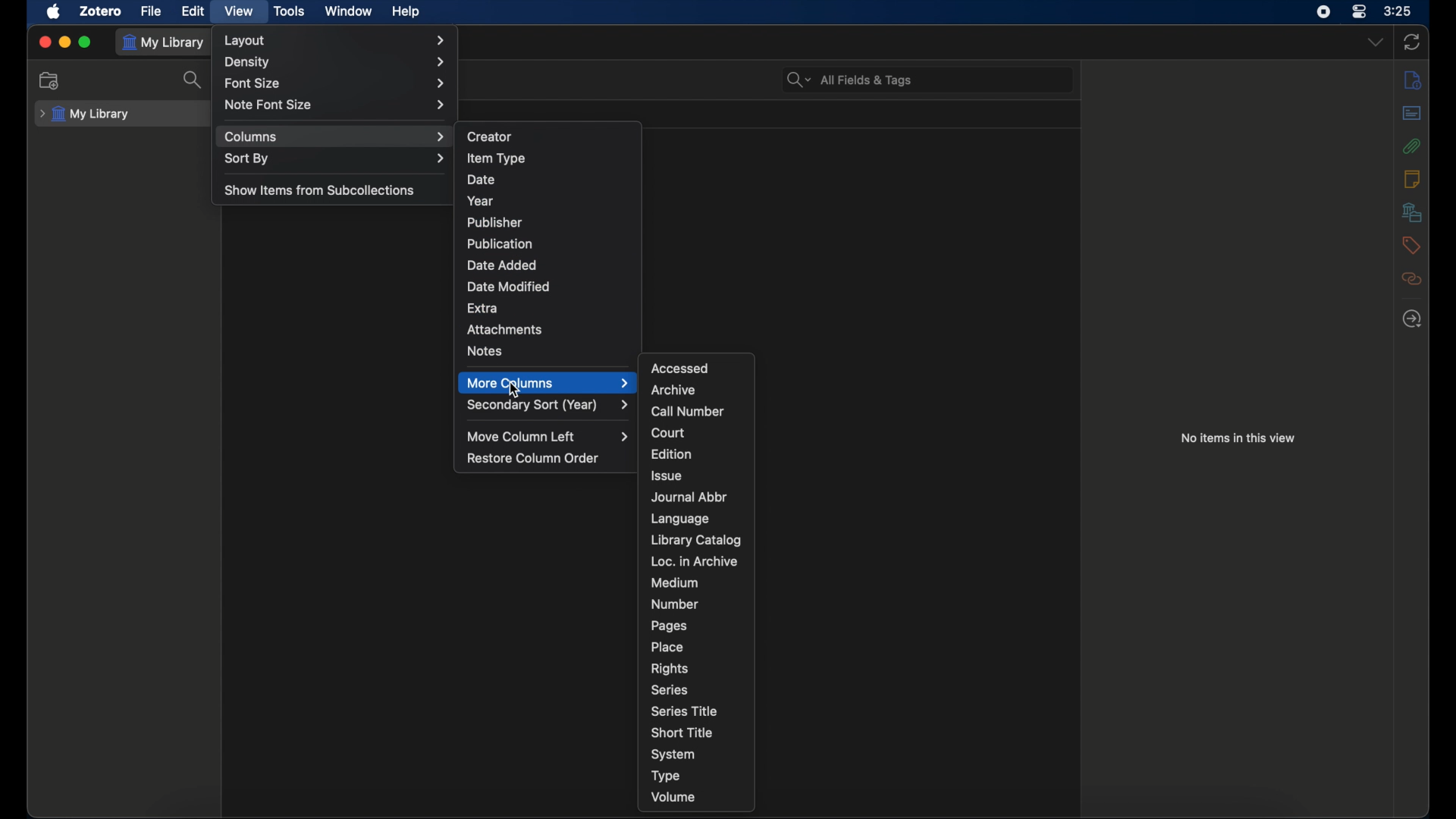 The image size is (1456, 819). I want to click on type, so click(666, 776).